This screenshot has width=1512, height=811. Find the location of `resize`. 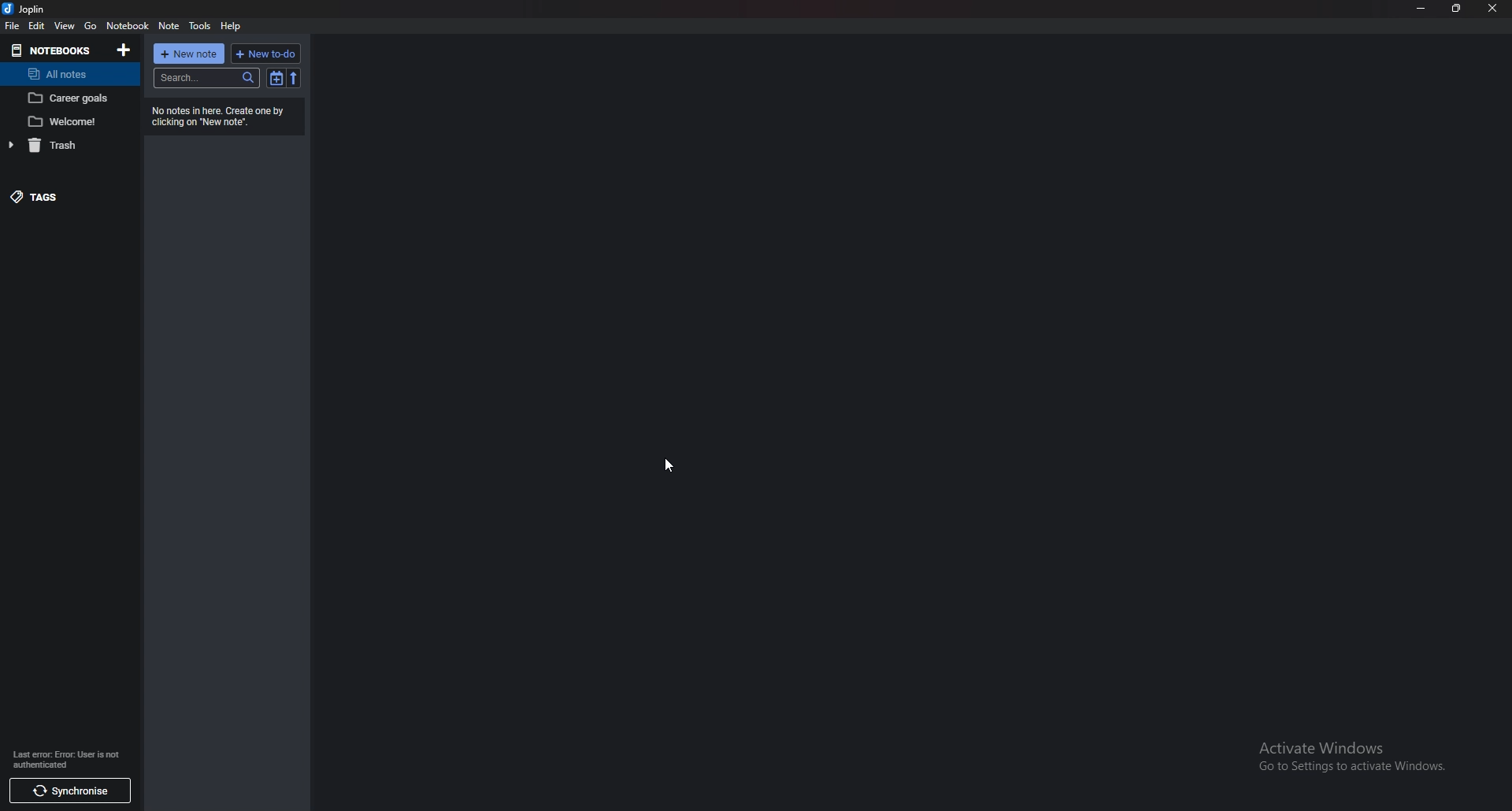

resize is located at coordinates (1455, 8).